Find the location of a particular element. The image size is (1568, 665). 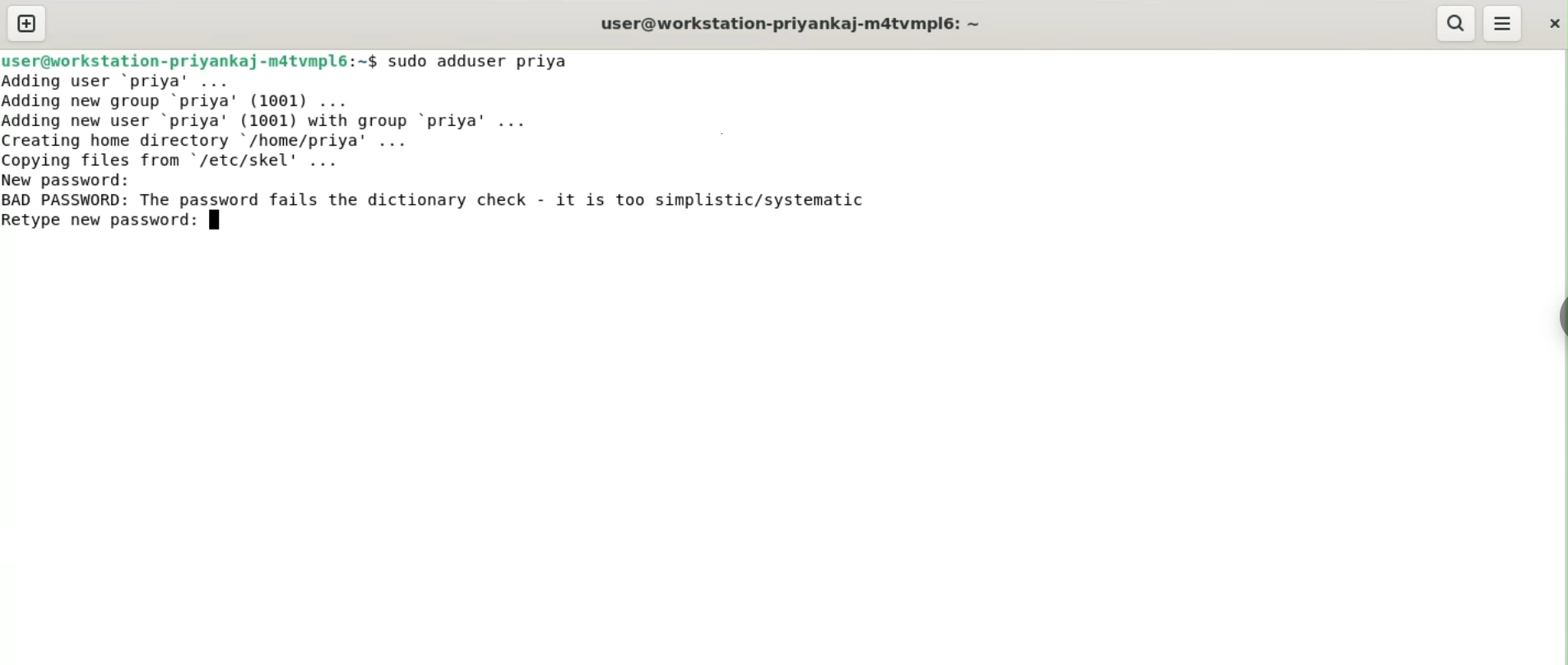

Adding user ‘priya’ ...

Adding new group ‘priya’ (1001) ...

Adding new user ‘priya' (1001) with group ‘priya’ ...
Creating home directory /home/priya’ ...

Copving files from "/etc/skel' ... is located at coordinates (318, 119).